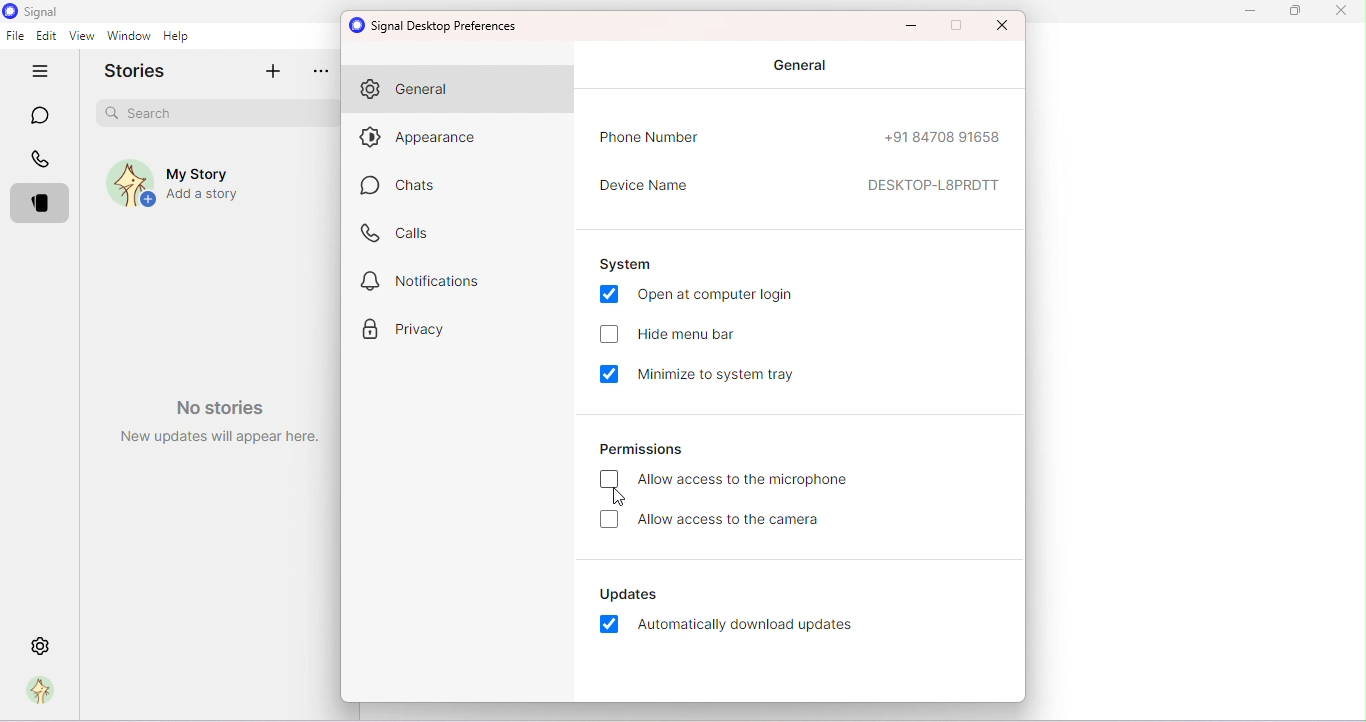 This screenshot has width=1366, height=722. What do you see at coordinates (734, 627) in the screenshot?
I see `Automatically download updates` at bounding box center [734, 627].